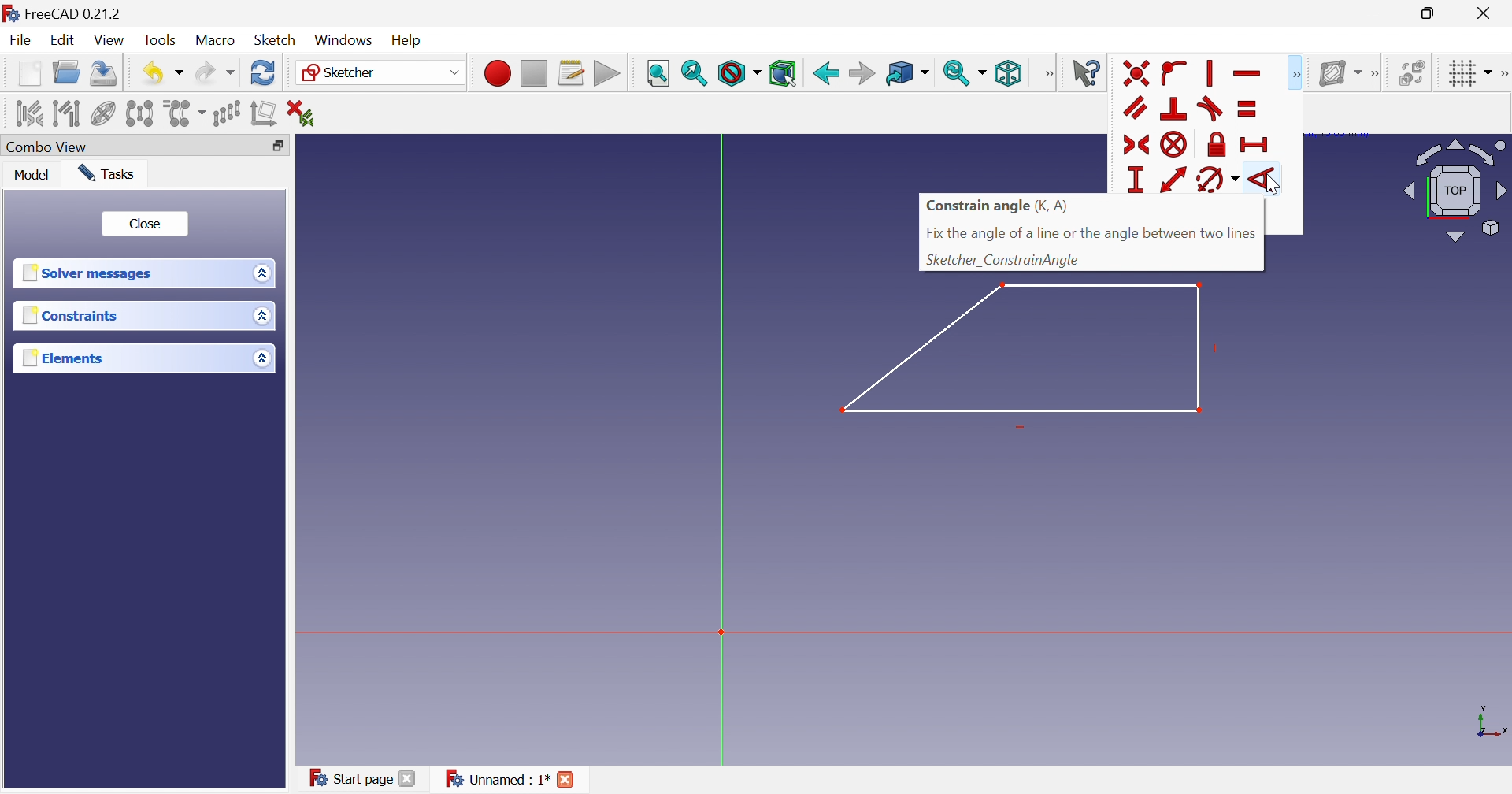 This screenshot has width=1512, height=794. Describe the element at coordinates (276, 40) in the screenshot. I see `Sketch` at that location.